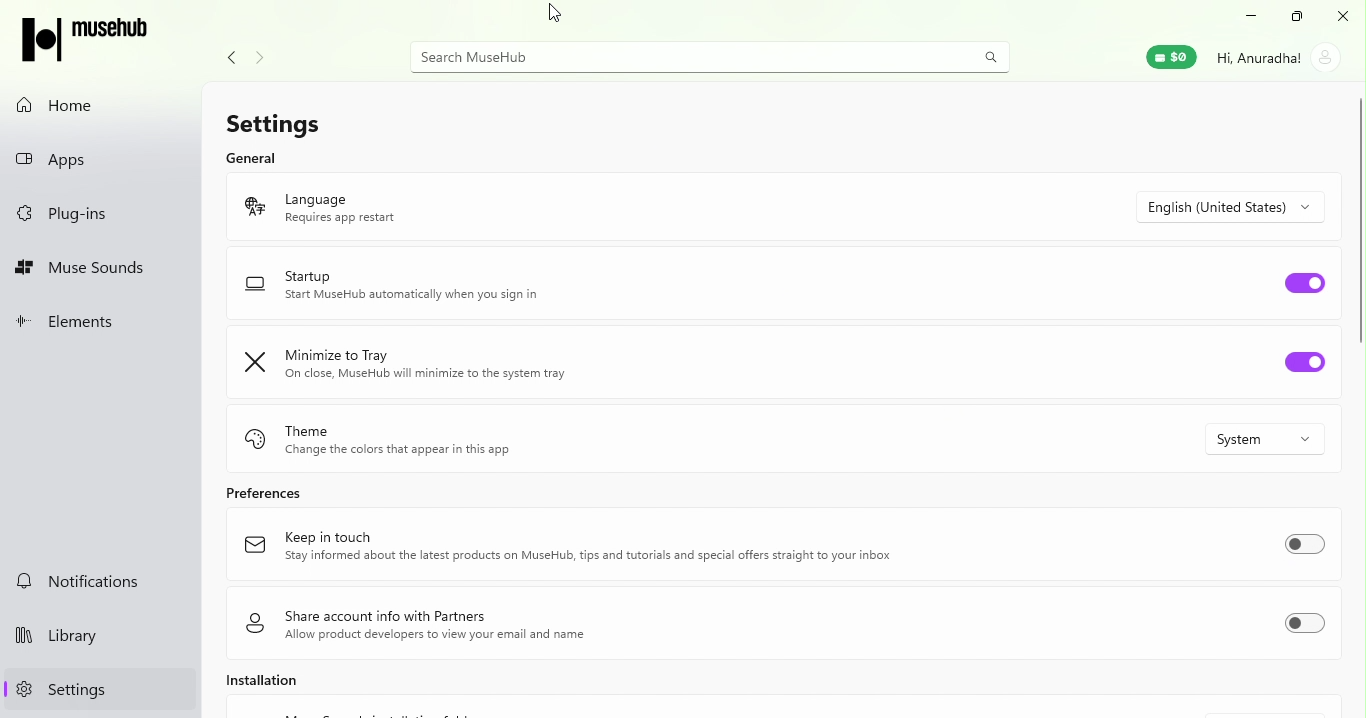 This screenshot has width=1366, height=718. Describe the element at coordinates (475, 439) in the screenshot. I see `Theme` at that location.